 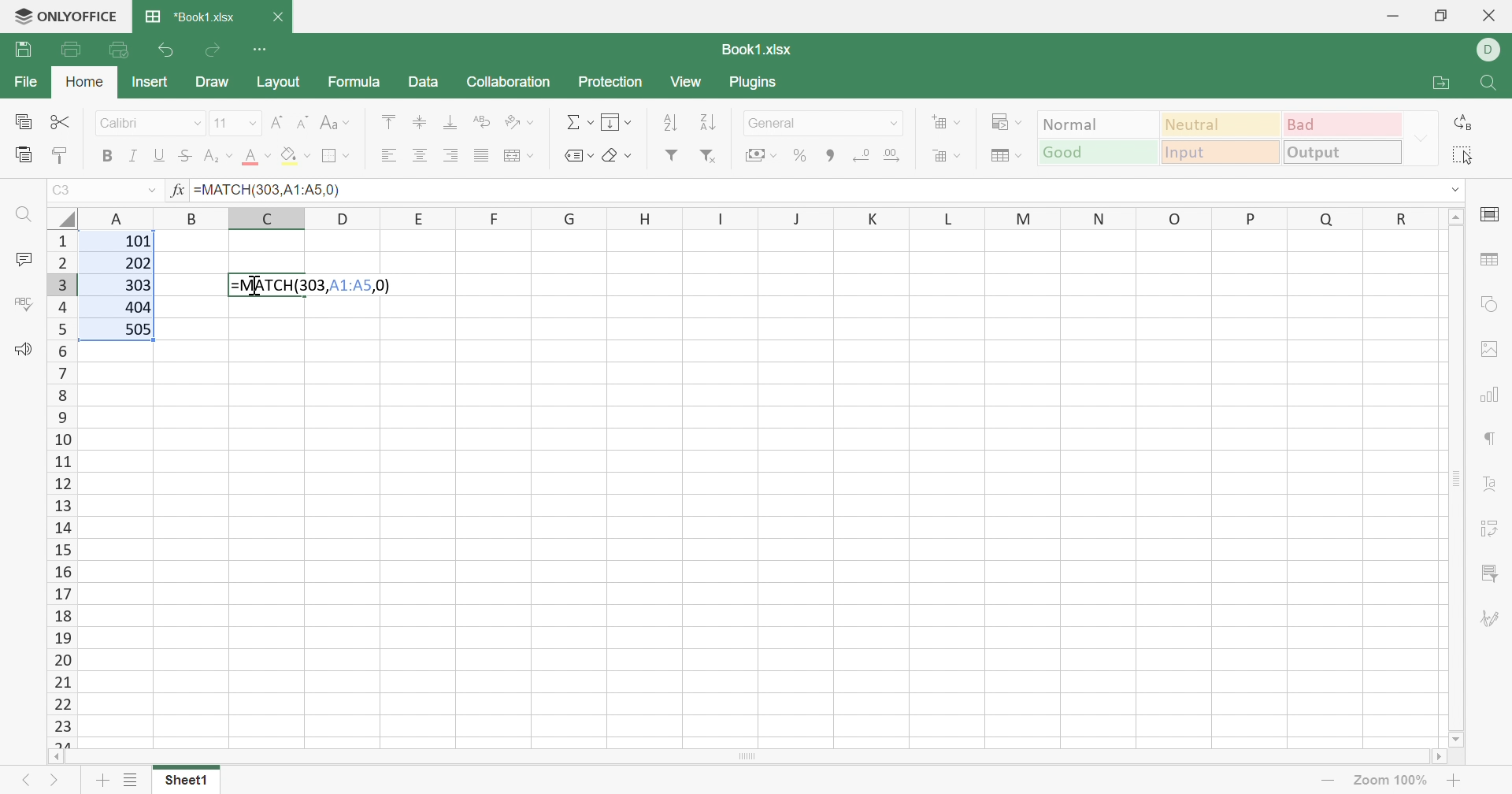 What do you see at coordinates (865, 155) in the screenshot?
I see `Decrease decimals` at bounding box center [865, 155].